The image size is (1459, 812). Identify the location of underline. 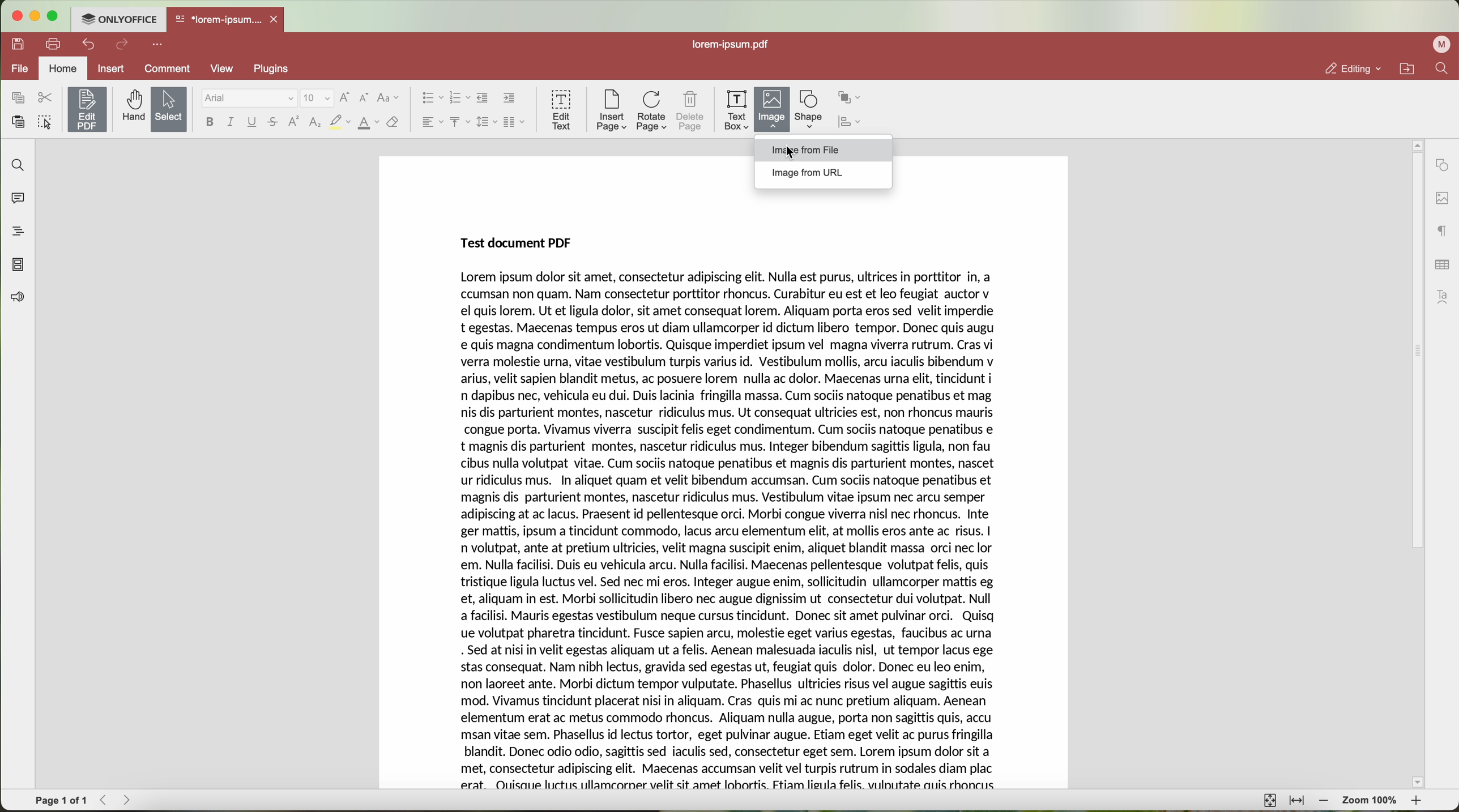
(253, 124).